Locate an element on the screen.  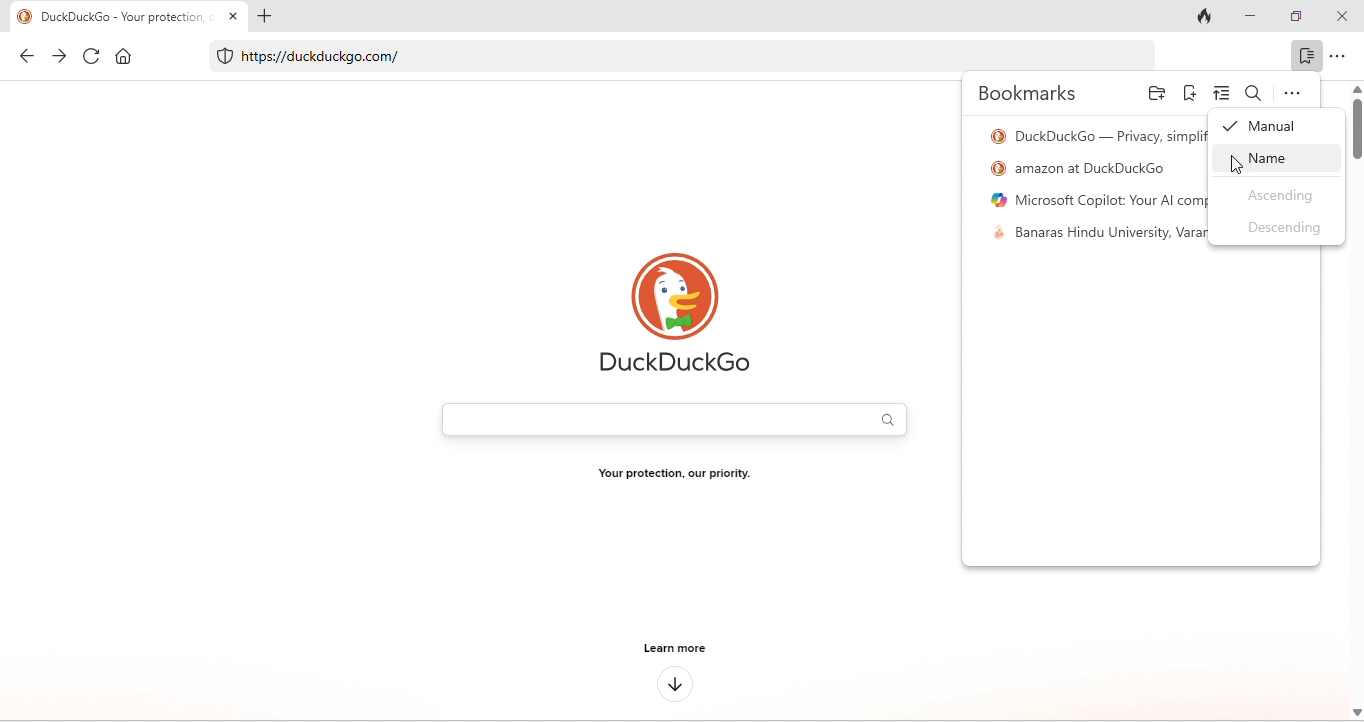
manual is located at coordinates (1264, 130).